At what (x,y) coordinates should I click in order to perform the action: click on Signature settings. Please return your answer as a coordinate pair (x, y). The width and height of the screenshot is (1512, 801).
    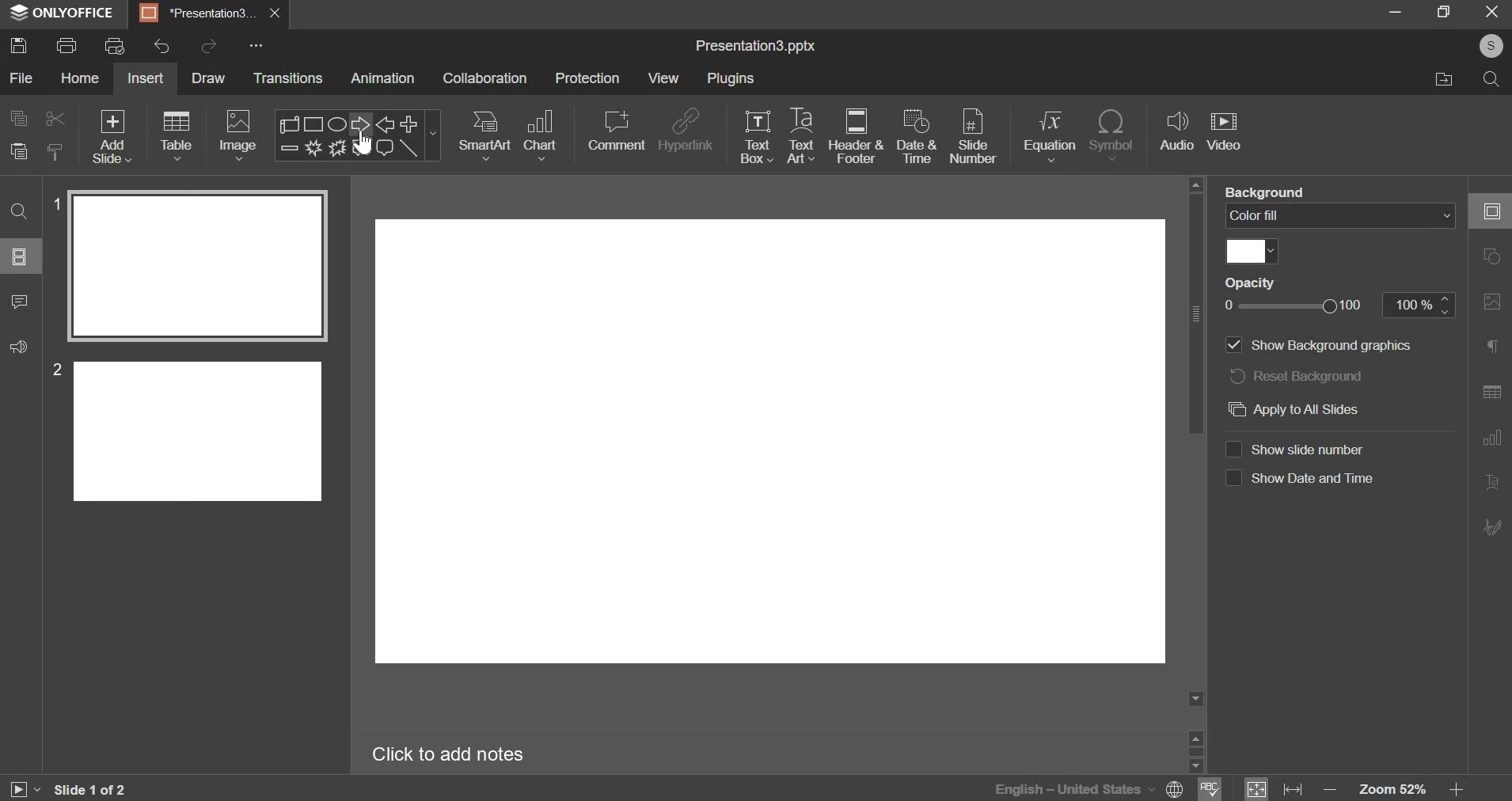
    Looking at the image, I should click on (1492, 526).